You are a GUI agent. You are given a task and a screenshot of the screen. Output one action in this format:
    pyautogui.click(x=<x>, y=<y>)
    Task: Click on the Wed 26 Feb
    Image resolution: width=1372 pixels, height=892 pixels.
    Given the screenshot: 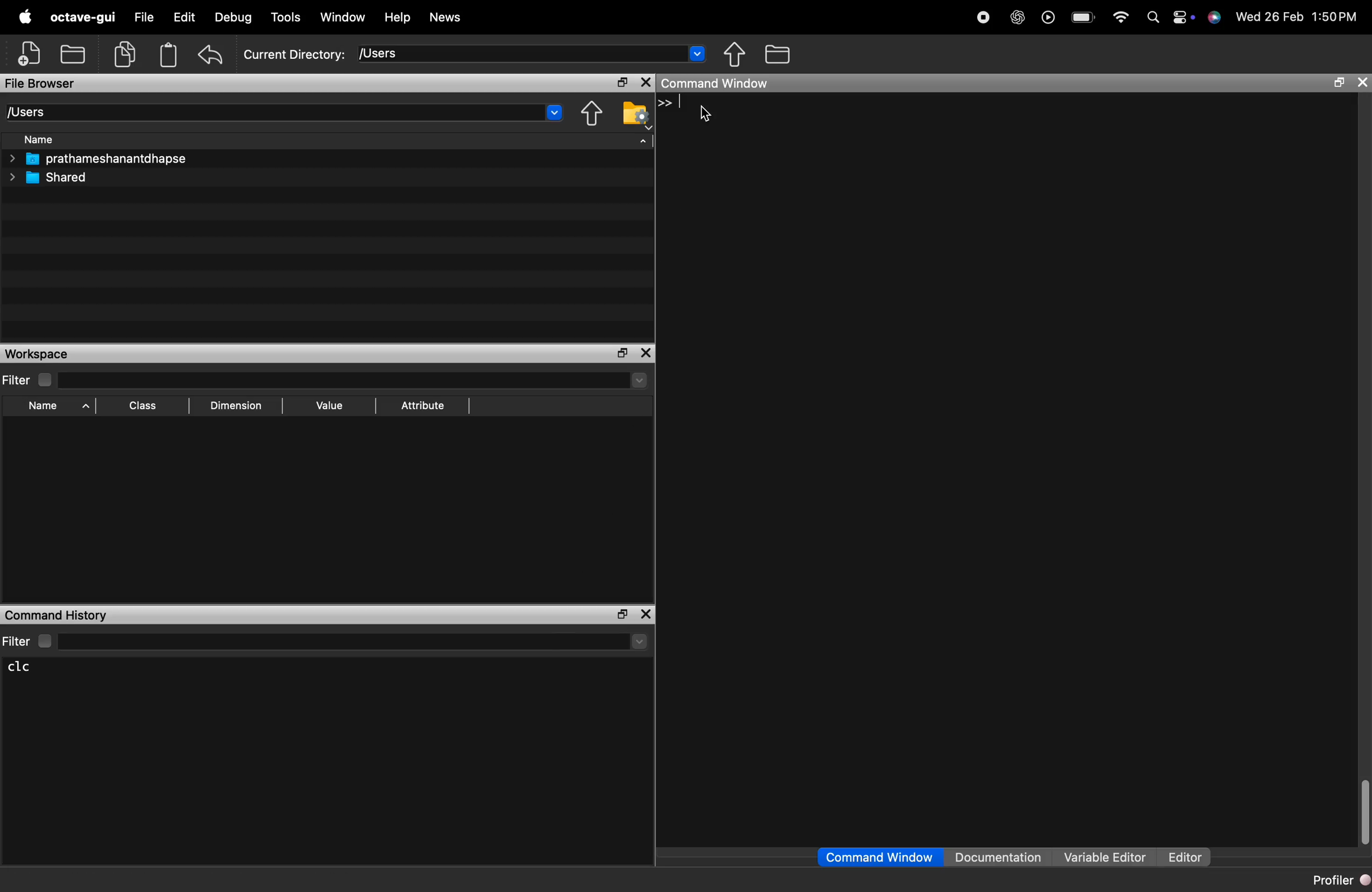 What is the action you would take?
    pyautogui.click(x=1268, y=17)
    